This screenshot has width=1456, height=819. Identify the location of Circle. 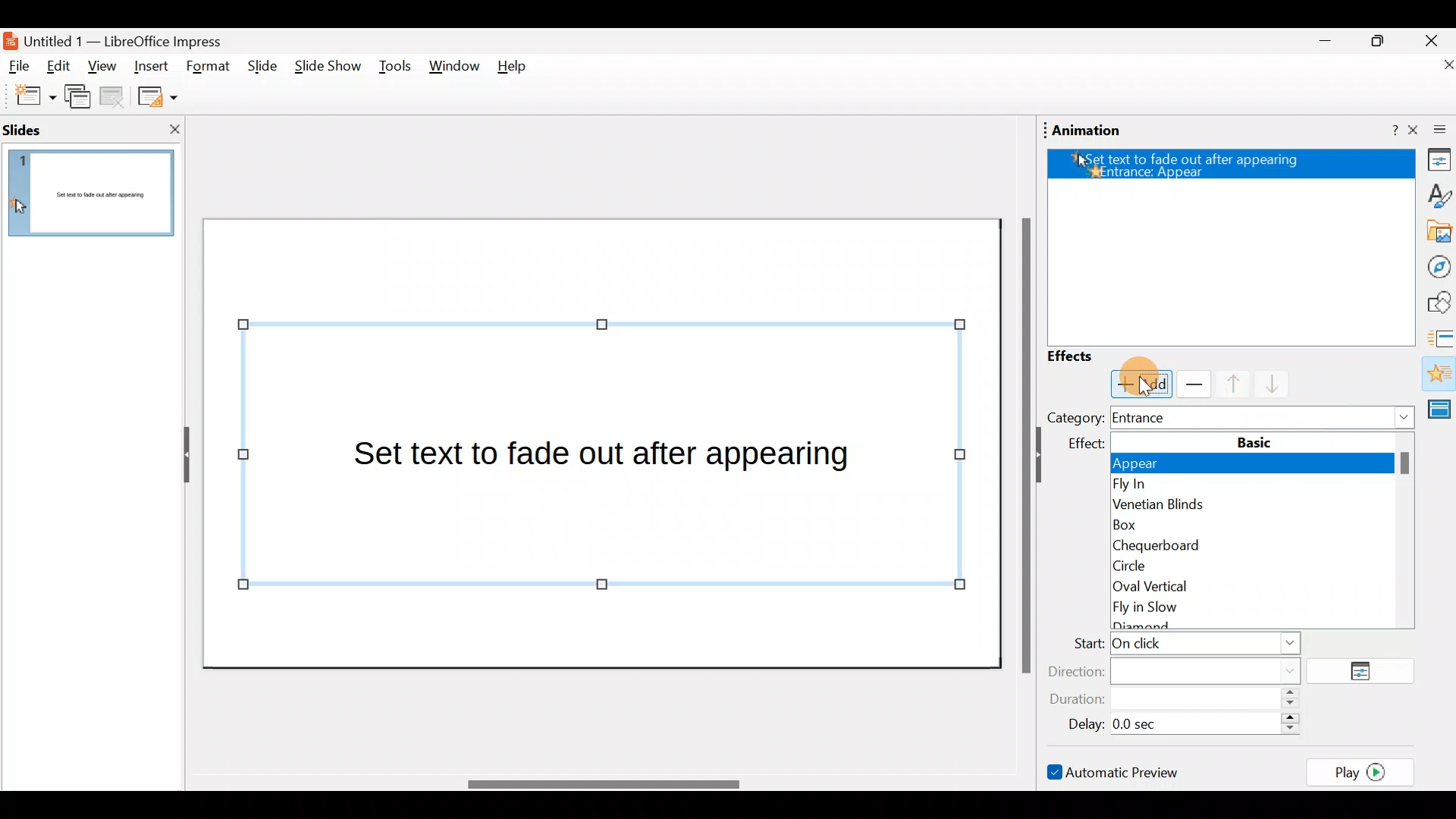
(1255, 565).